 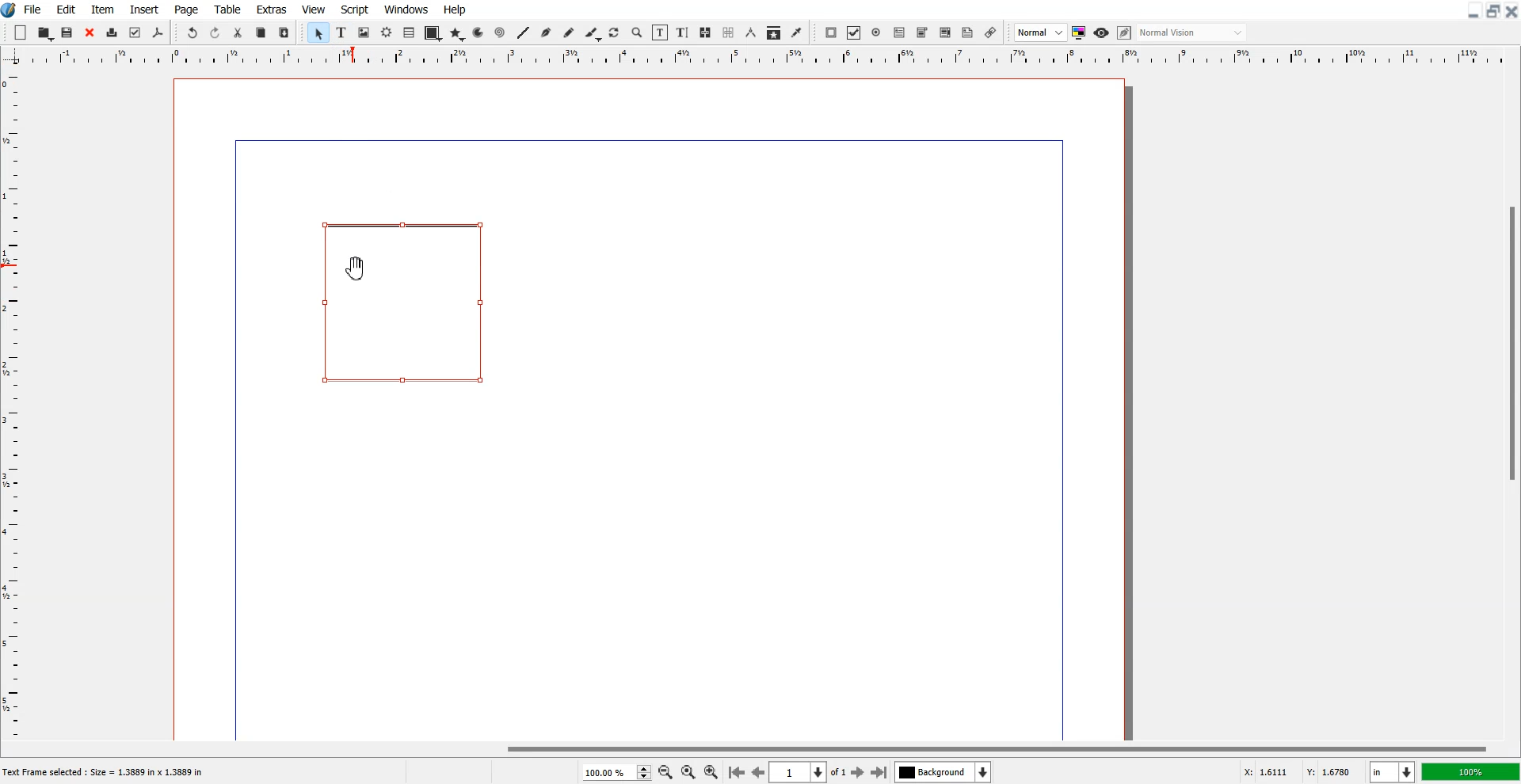 What do you see at coordinates (238, 32) in the screenshot?
I see `Cut` at bounding box center [238, 32].